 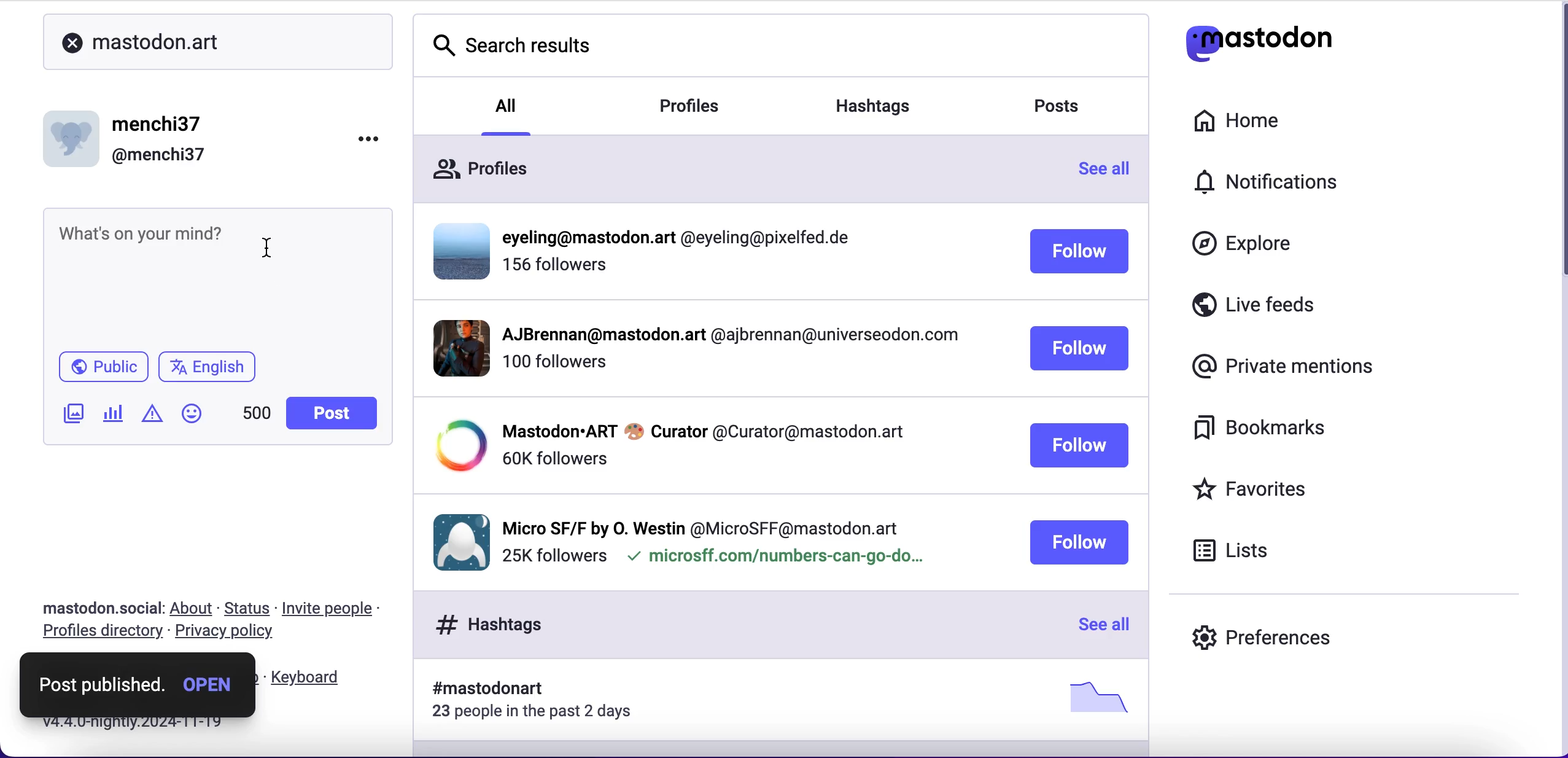 What do you see at coordinates (708, 107) in the screenshot?
I see `profiles` at bounding box center [708, 107].